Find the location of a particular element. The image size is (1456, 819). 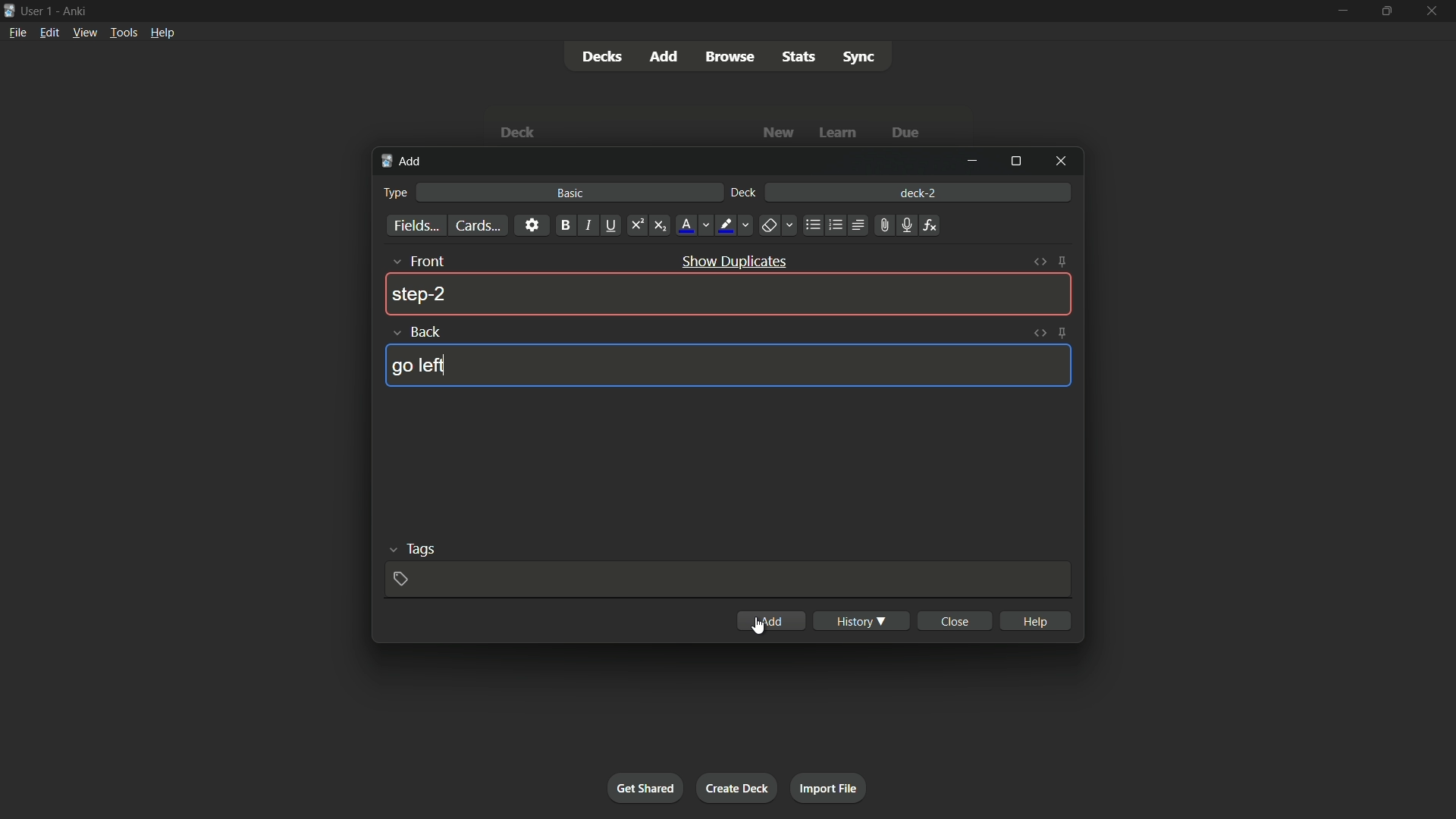

browse is located at coordinates (731, 57).